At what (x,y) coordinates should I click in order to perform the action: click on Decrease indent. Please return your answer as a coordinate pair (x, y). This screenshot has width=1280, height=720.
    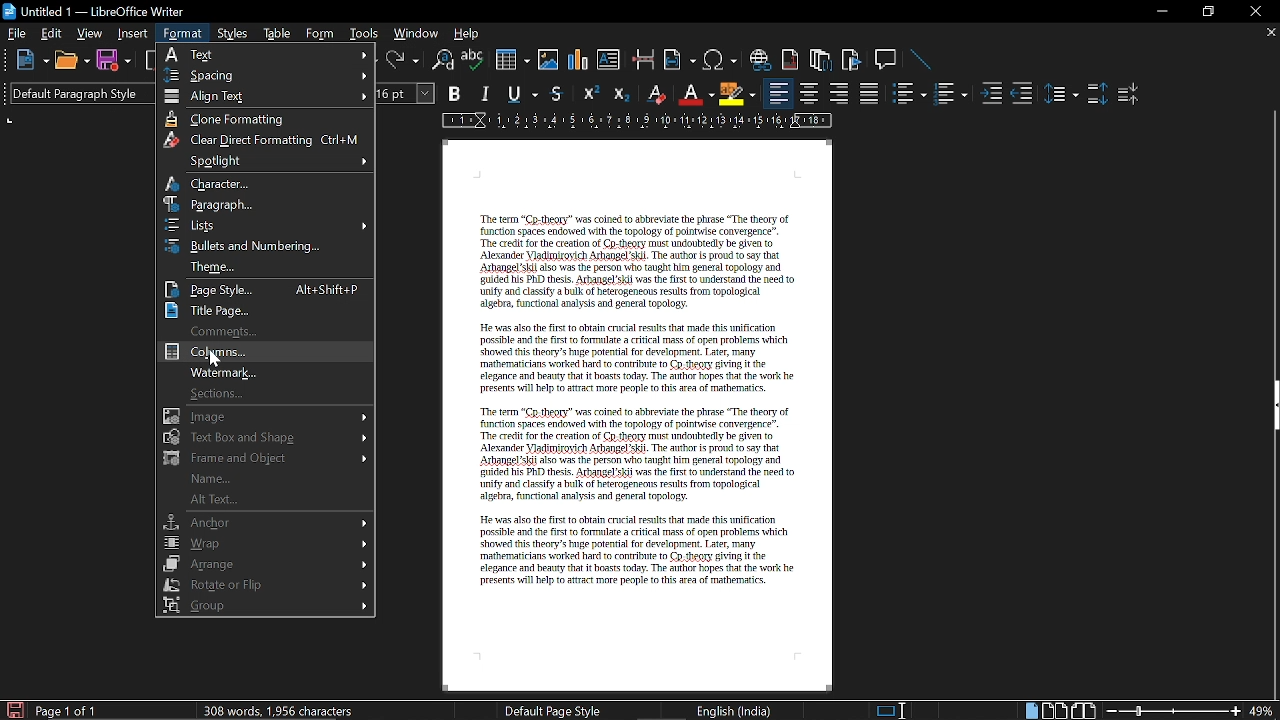
    Looking at the image, I should click on (1026, 93).